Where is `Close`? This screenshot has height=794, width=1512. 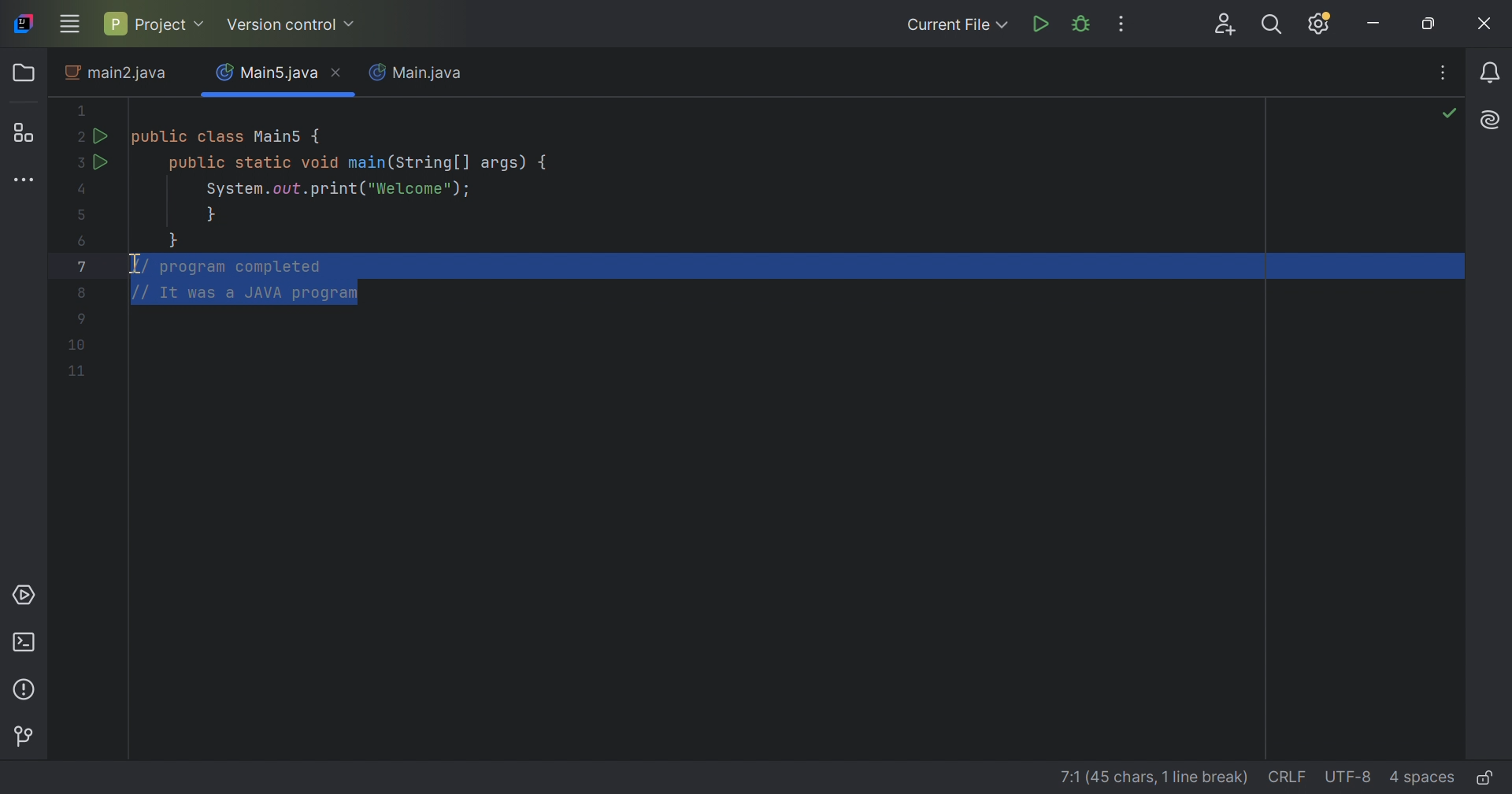
Close is located at coordinates (1486, 25).